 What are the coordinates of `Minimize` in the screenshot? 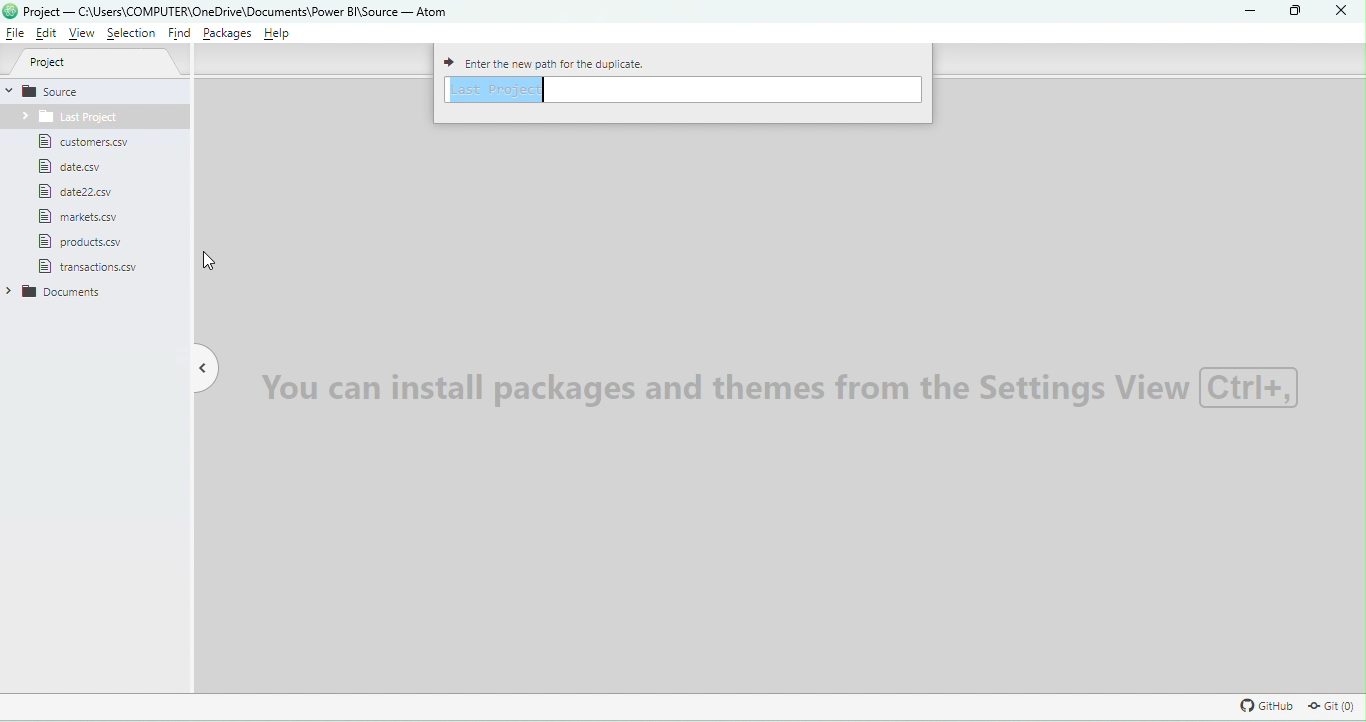 It's located at (1255, 12).